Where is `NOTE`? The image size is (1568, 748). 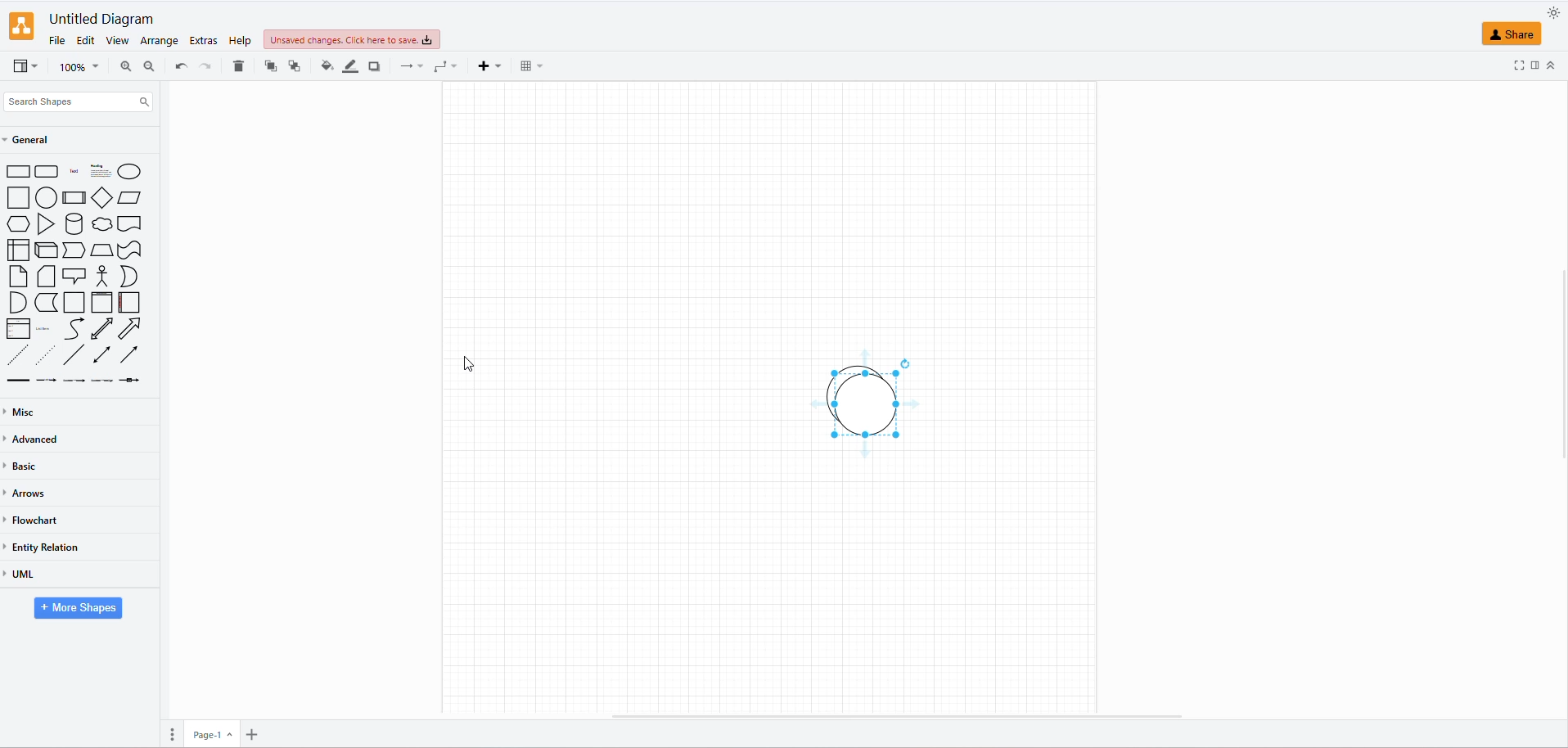
NOTE is located at coordinates (16, 277).